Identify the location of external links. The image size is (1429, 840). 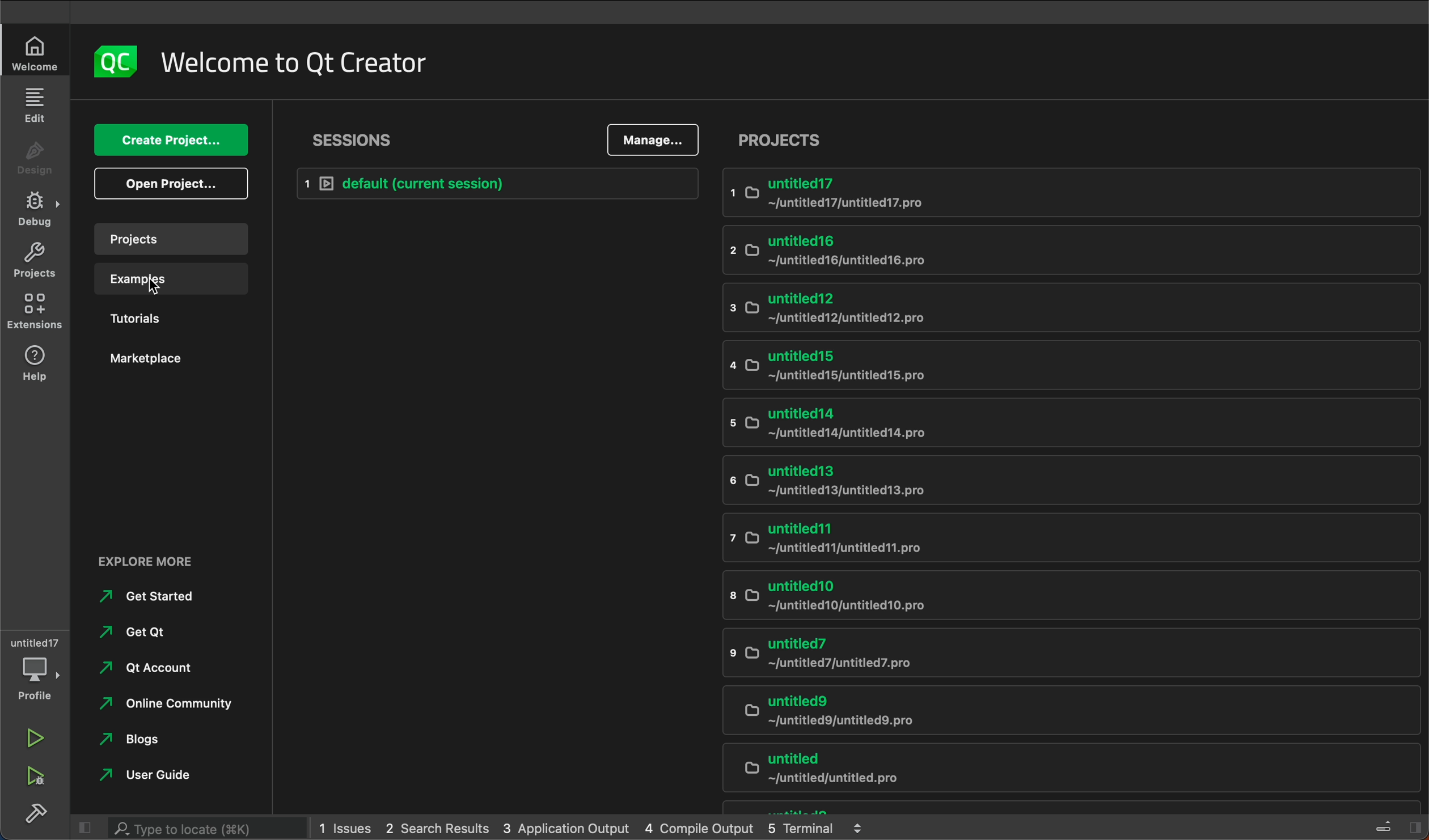
(178, 564).